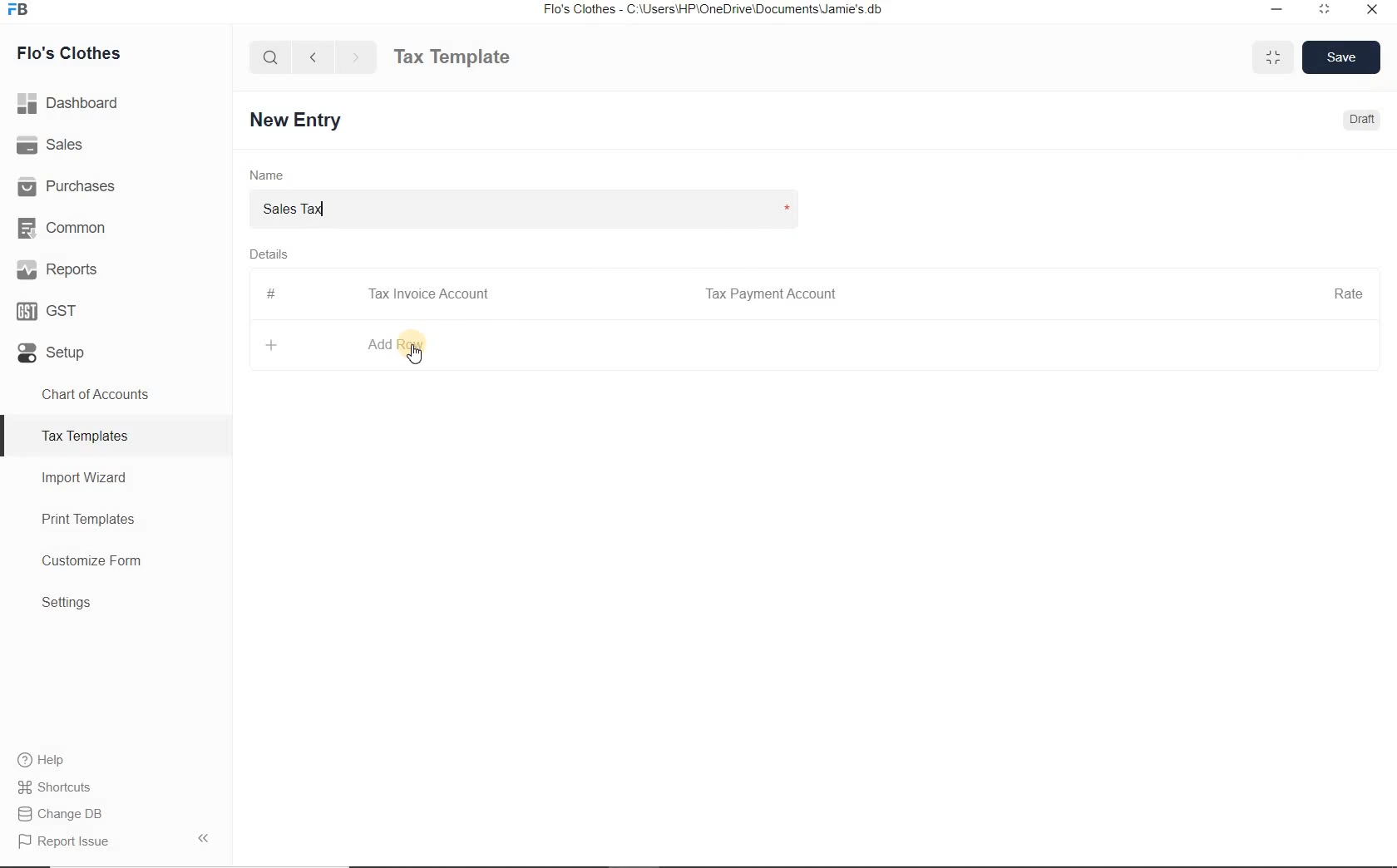 This screenshot has width=1397, height=868. I want to click on Save, so click(1342, 57).